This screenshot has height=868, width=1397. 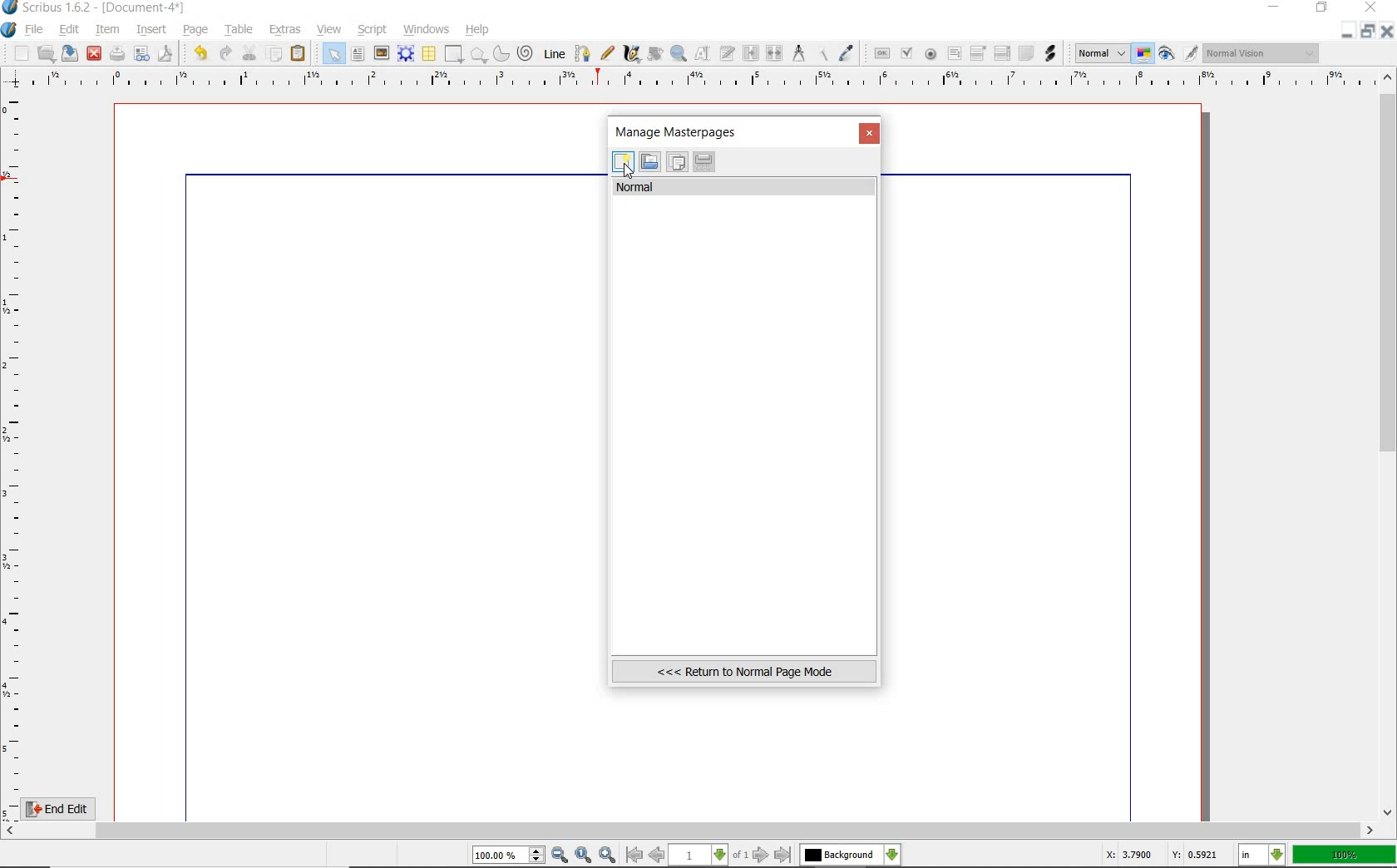 I want to click on measurements, so click(x=799, y=54).